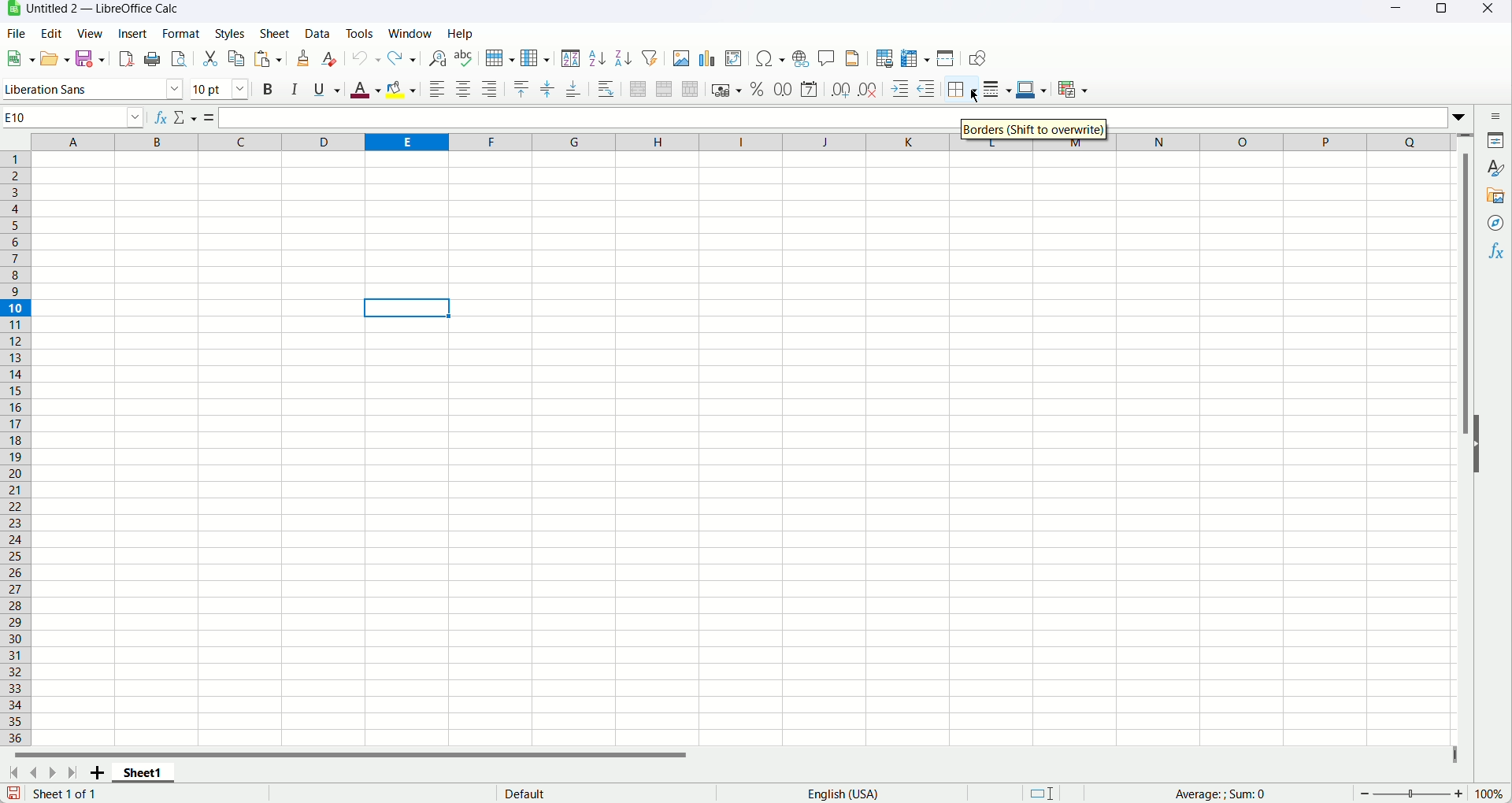 This screenshot has width=1512, height=803. Describe the element at coordinates (295, 89) in the screenshot. I see `Italic` at that location.